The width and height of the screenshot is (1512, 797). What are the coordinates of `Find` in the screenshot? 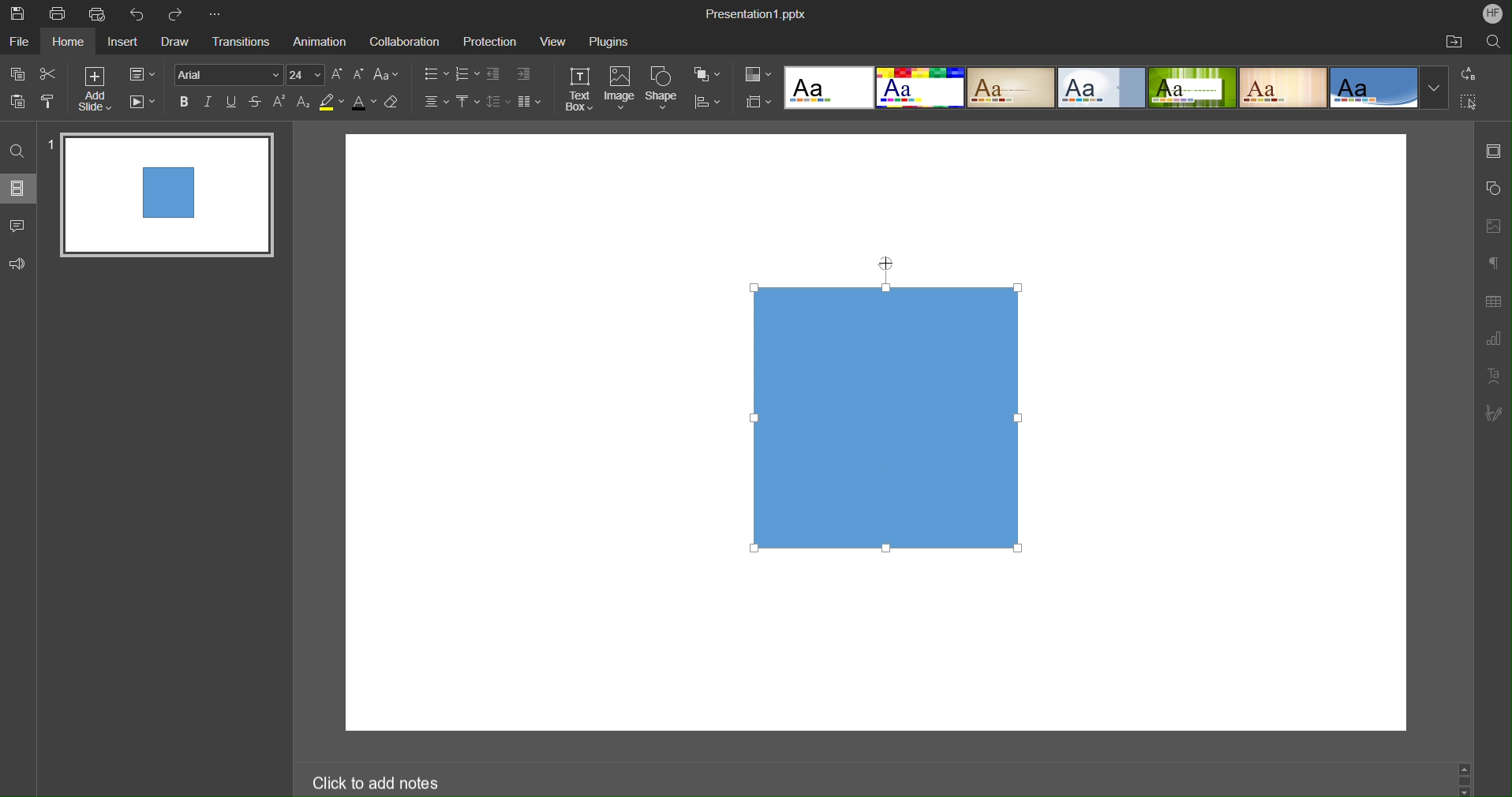 It's located at (18, 152).